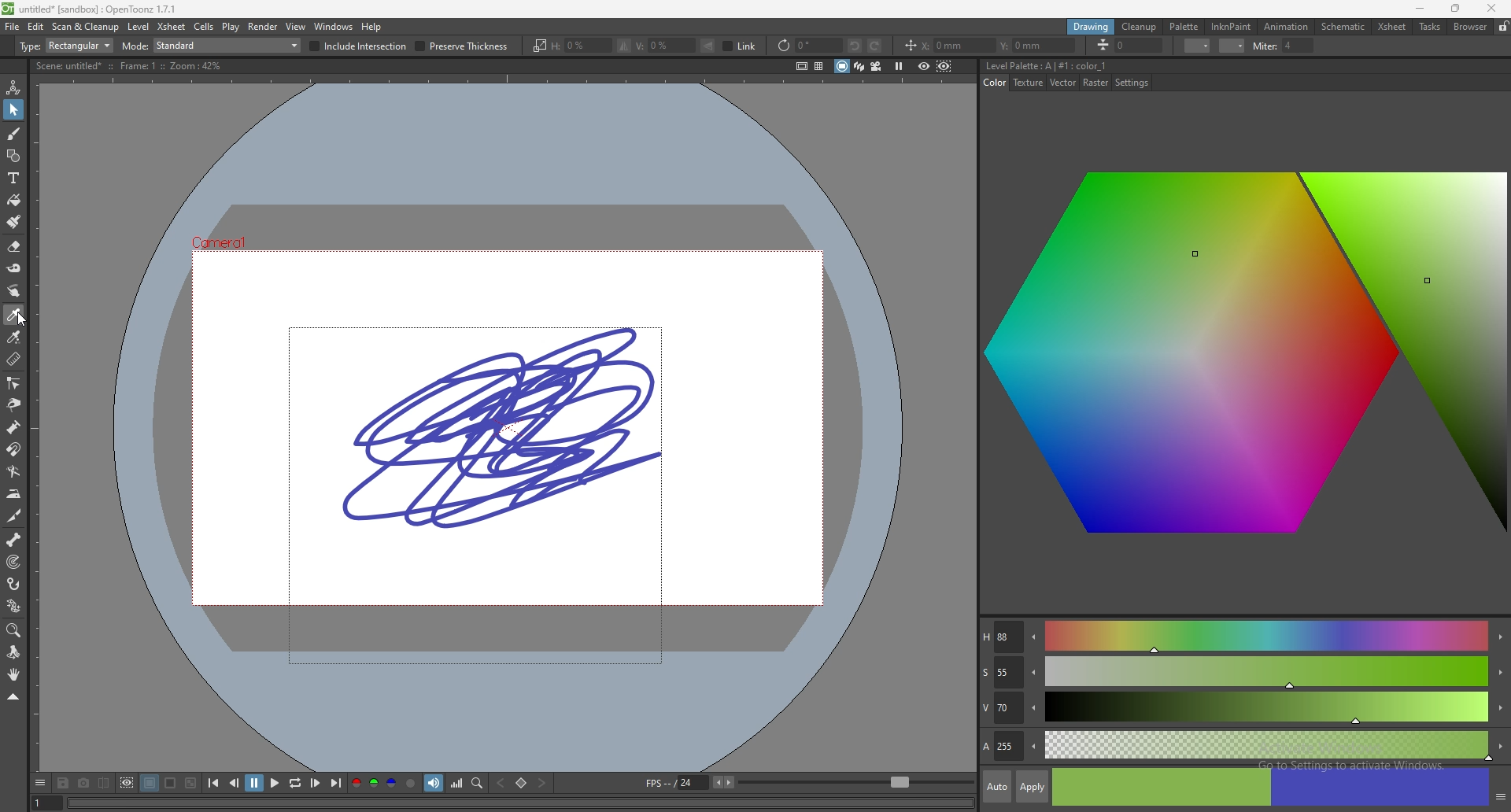 The height and width of the screenshot is (812, 1511). I want to click on color gradient, so click(1249, 359).